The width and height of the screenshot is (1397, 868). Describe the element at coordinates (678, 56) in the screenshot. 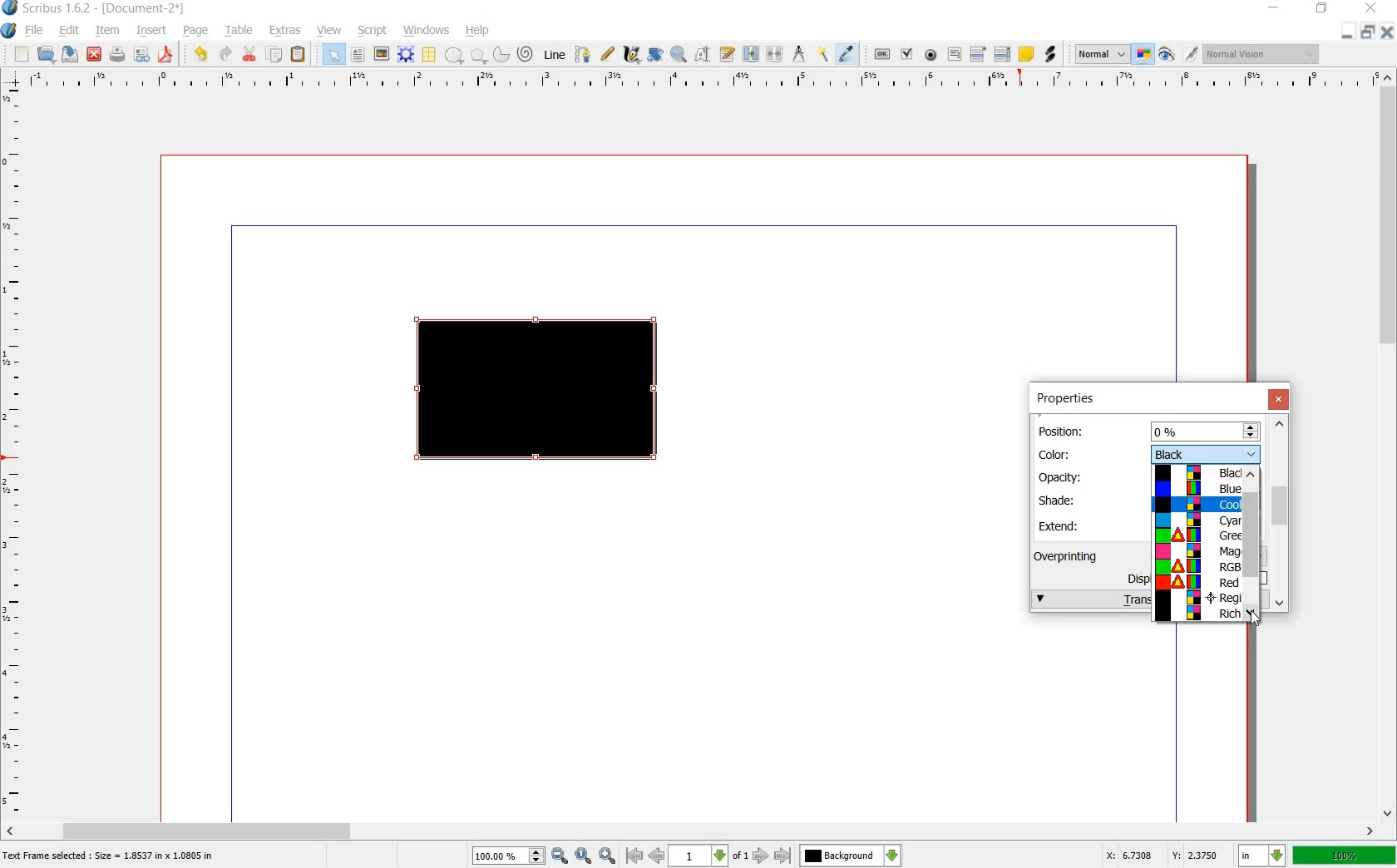

I see `zoom in or out` at that location.